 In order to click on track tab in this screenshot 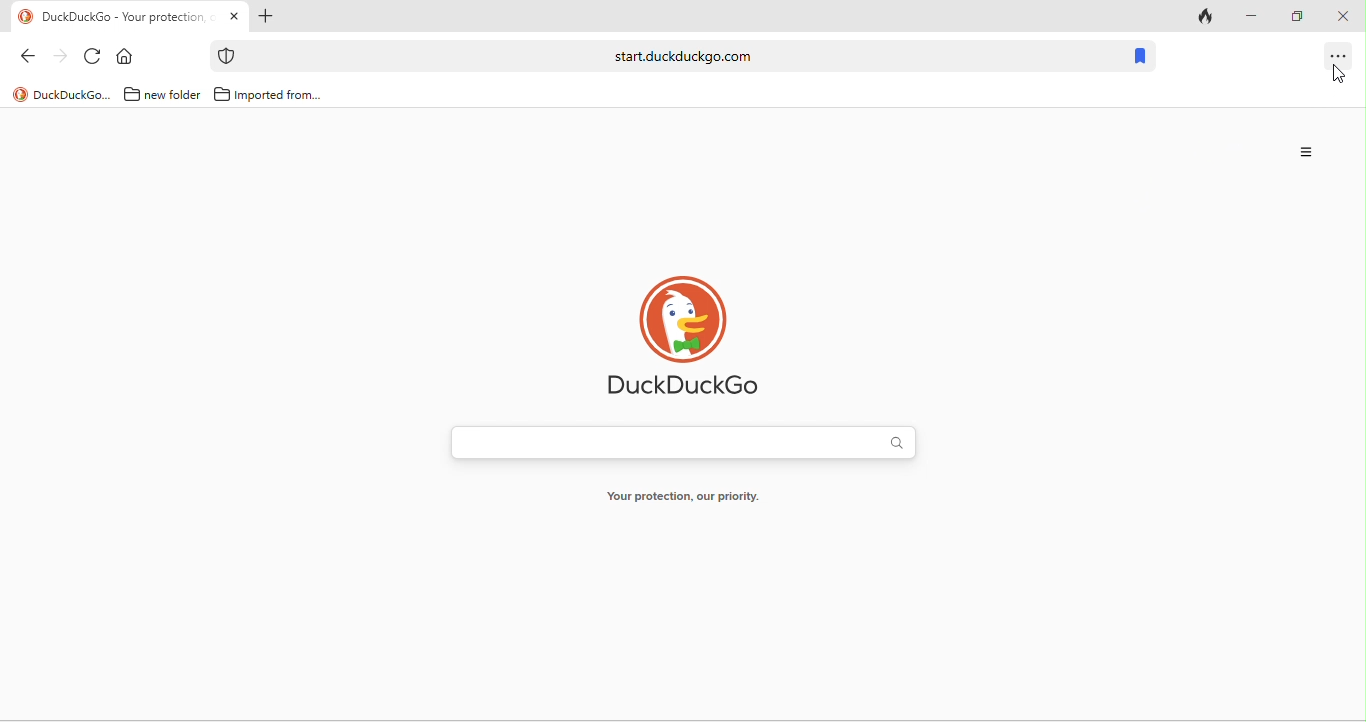, I will do `click(1207, 20)`.